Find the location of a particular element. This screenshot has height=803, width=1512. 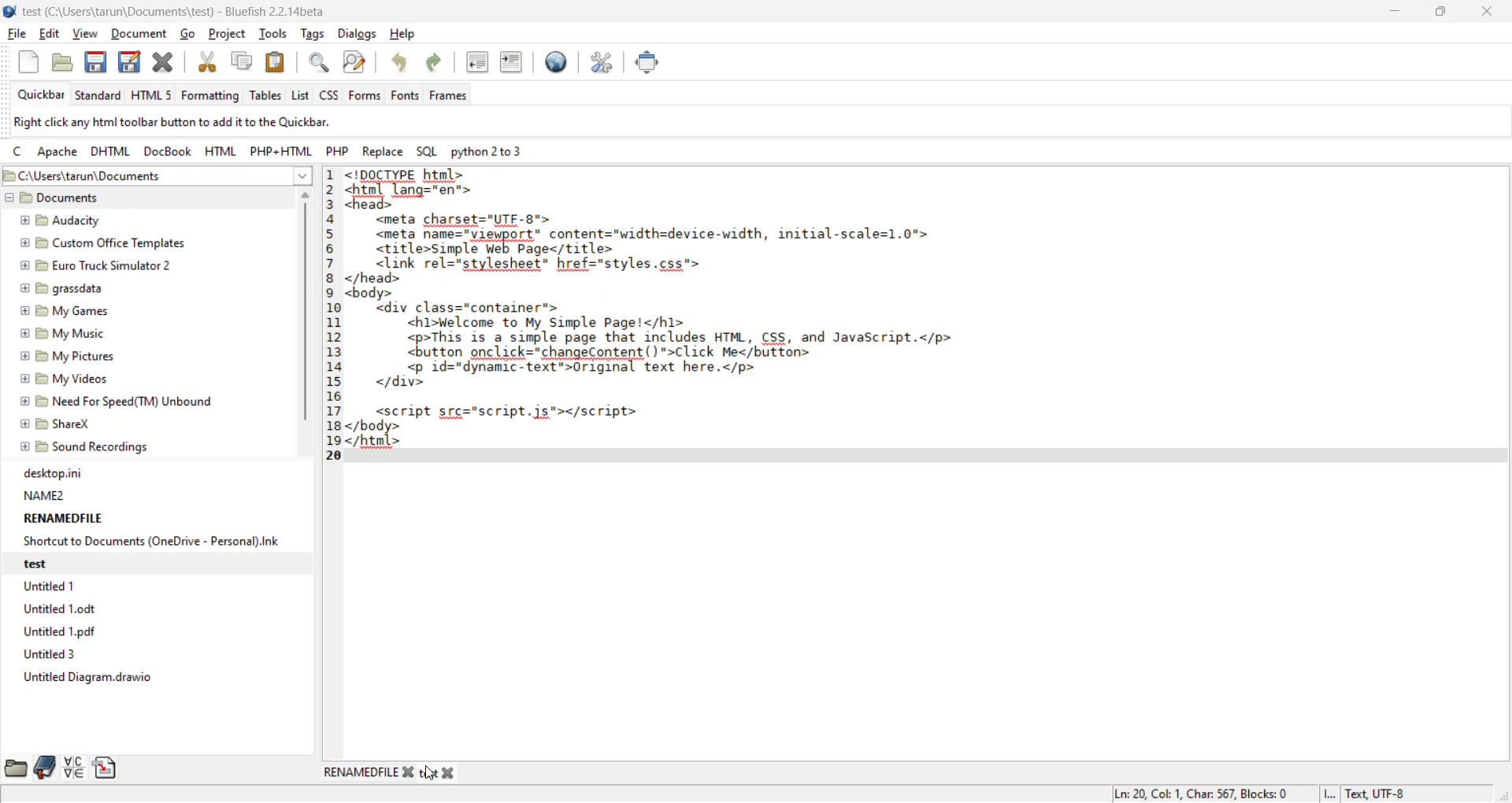

cut is located at coordinates (207, 64).